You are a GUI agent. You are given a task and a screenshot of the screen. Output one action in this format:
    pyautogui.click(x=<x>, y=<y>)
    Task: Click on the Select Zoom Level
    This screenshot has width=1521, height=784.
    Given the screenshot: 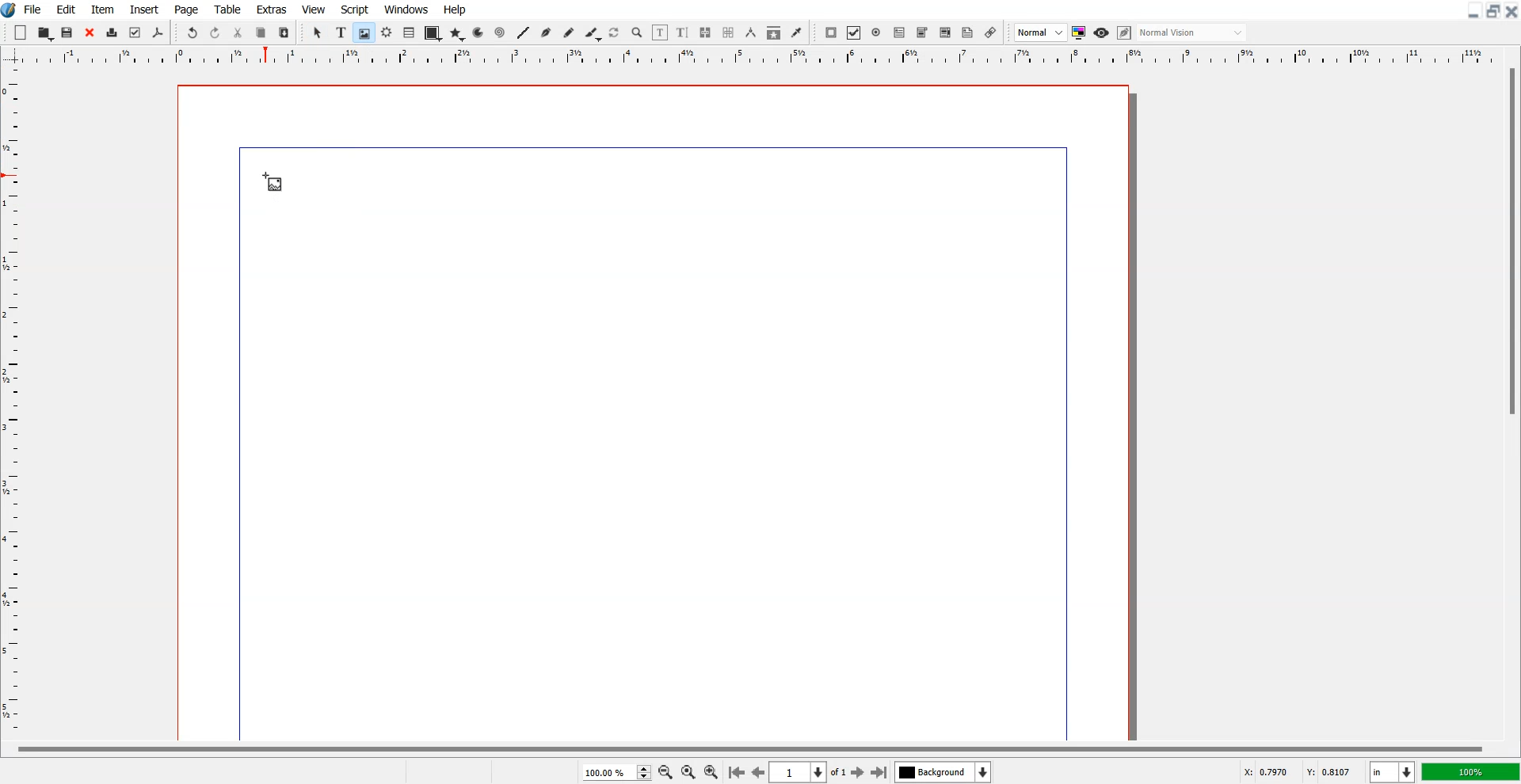 What is the action you would take?
    pyautogui.click(x=616, y=771)
    